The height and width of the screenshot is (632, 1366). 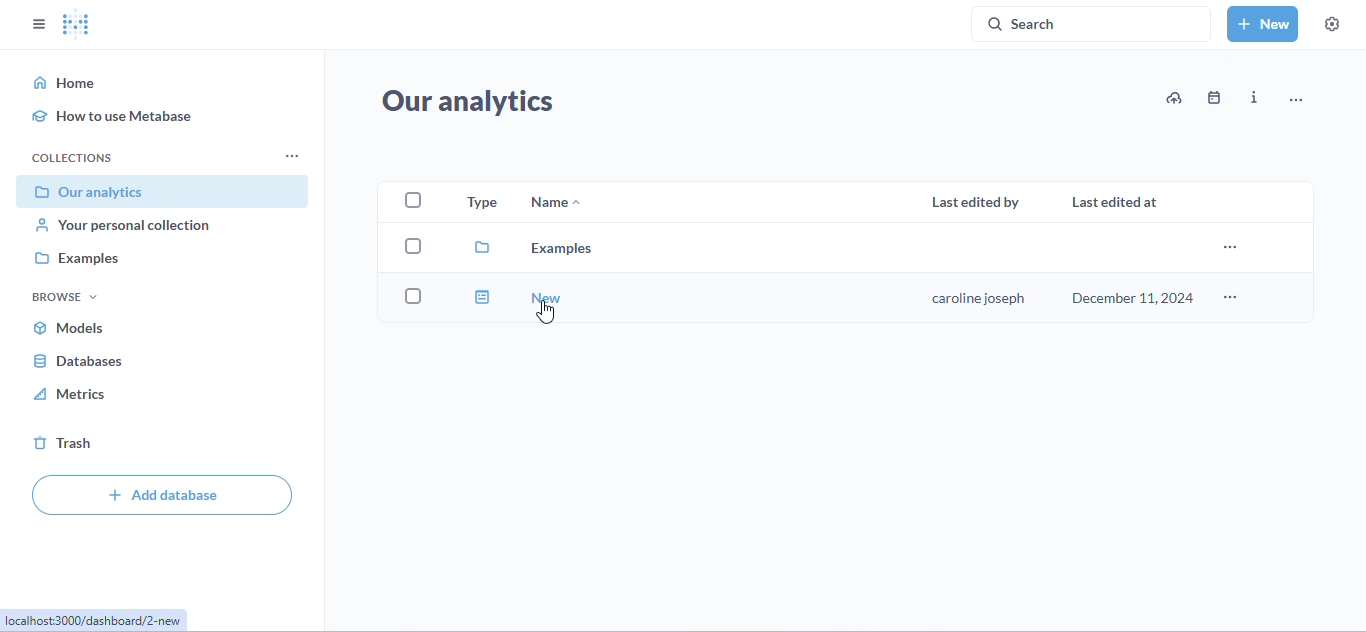 I want to click on more, so click(x=1231, y=297).